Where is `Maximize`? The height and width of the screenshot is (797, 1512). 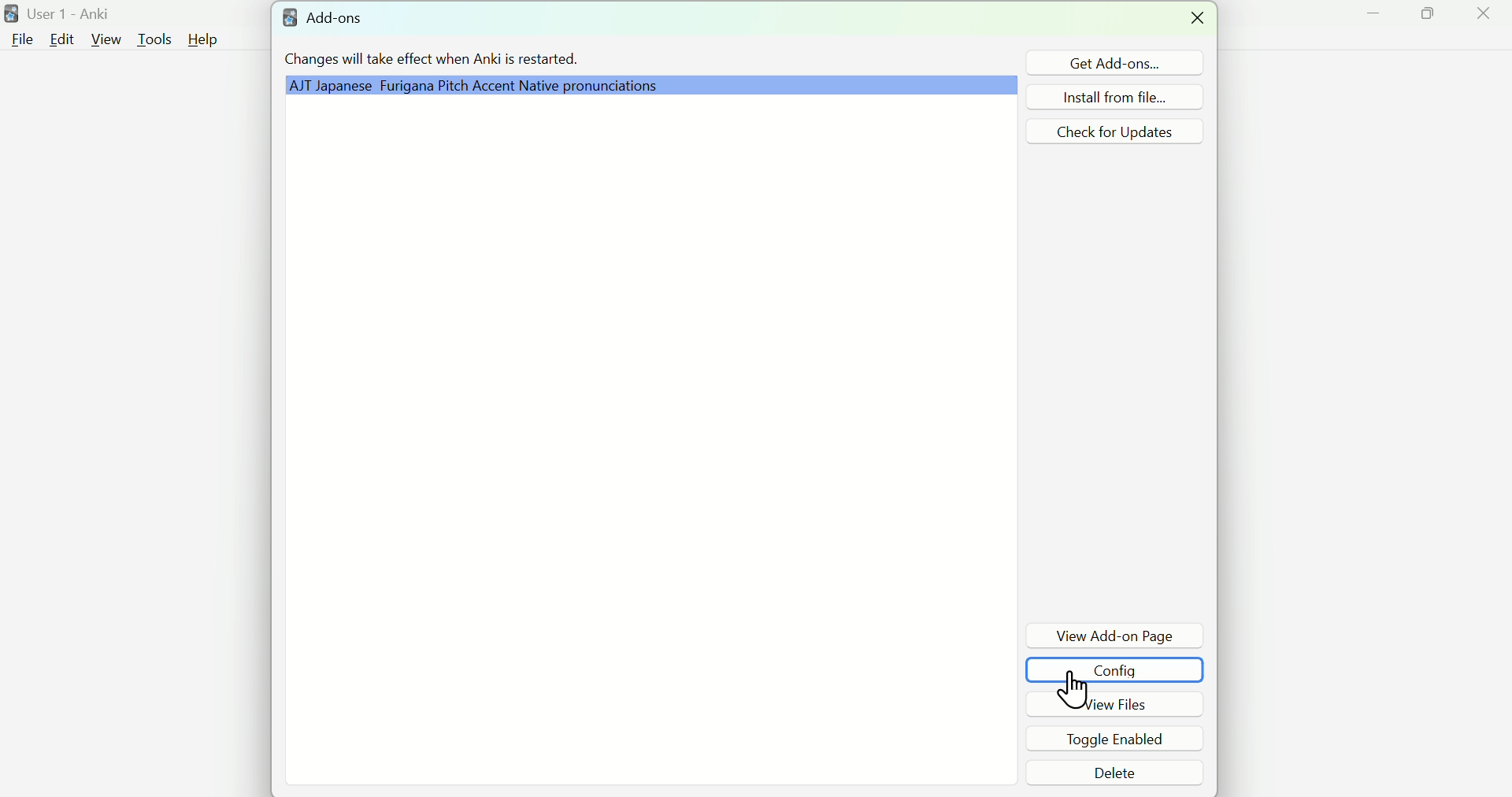 Maximize is located at coordinates (1434, 19).